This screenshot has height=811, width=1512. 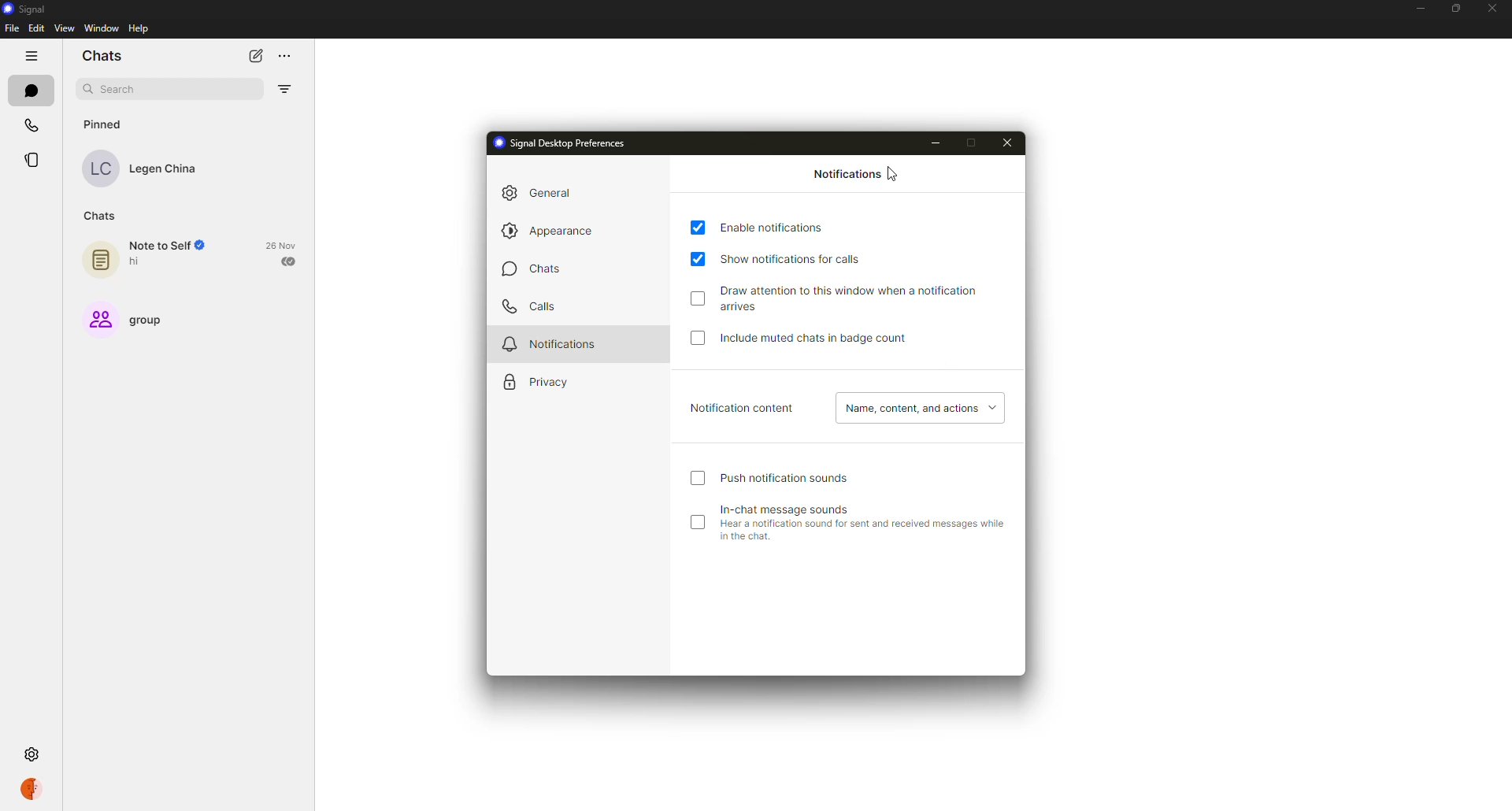 I want to click on chats, so click(x=540, y=268).